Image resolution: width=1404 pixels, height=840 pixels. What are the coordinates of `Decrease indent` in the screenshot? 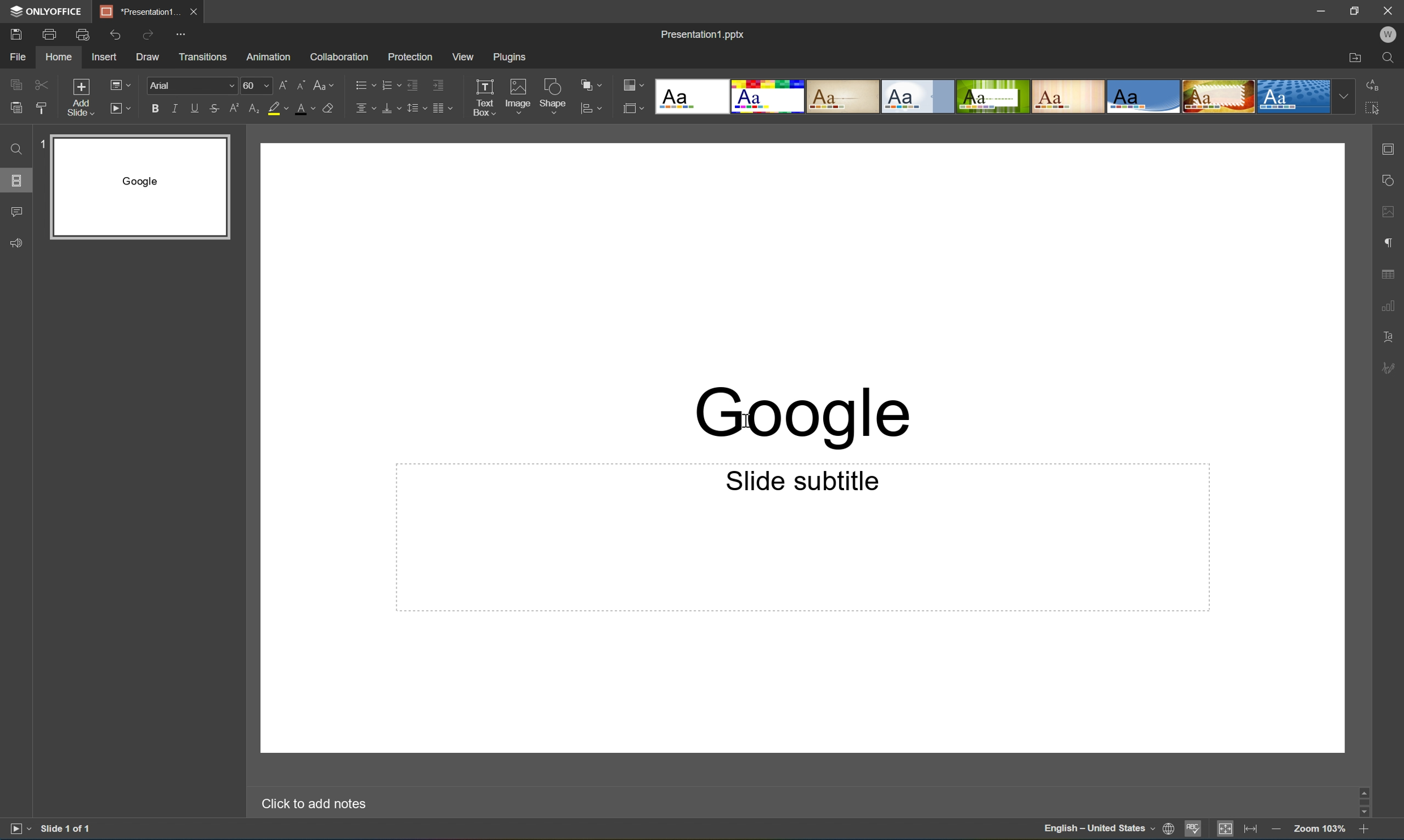 It's located at (413, 80).